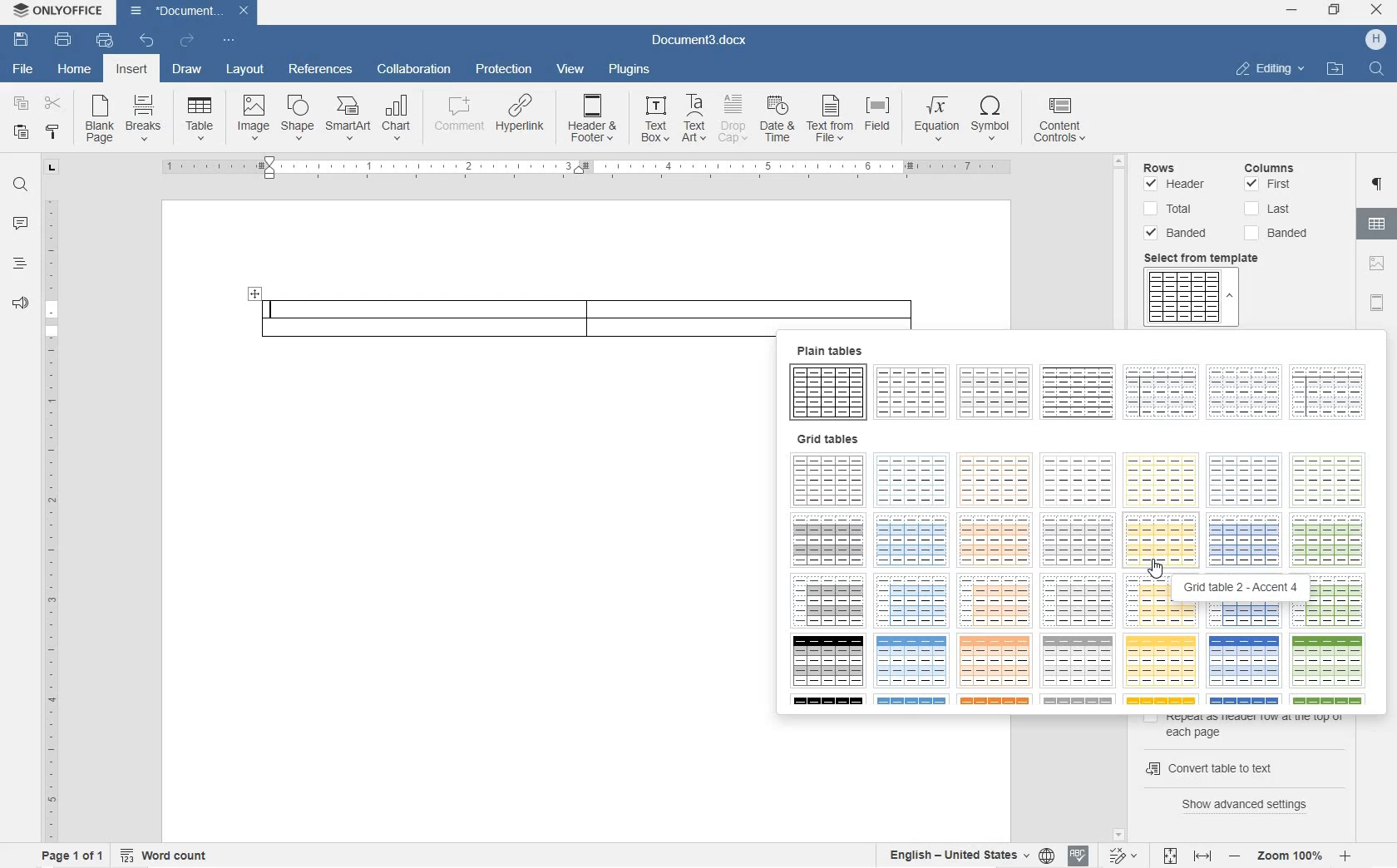 The height and width of the screenshot is (868, 1397). Describe the element at coordinates (1270, 185) in the screenshot. I see `First` at that location.